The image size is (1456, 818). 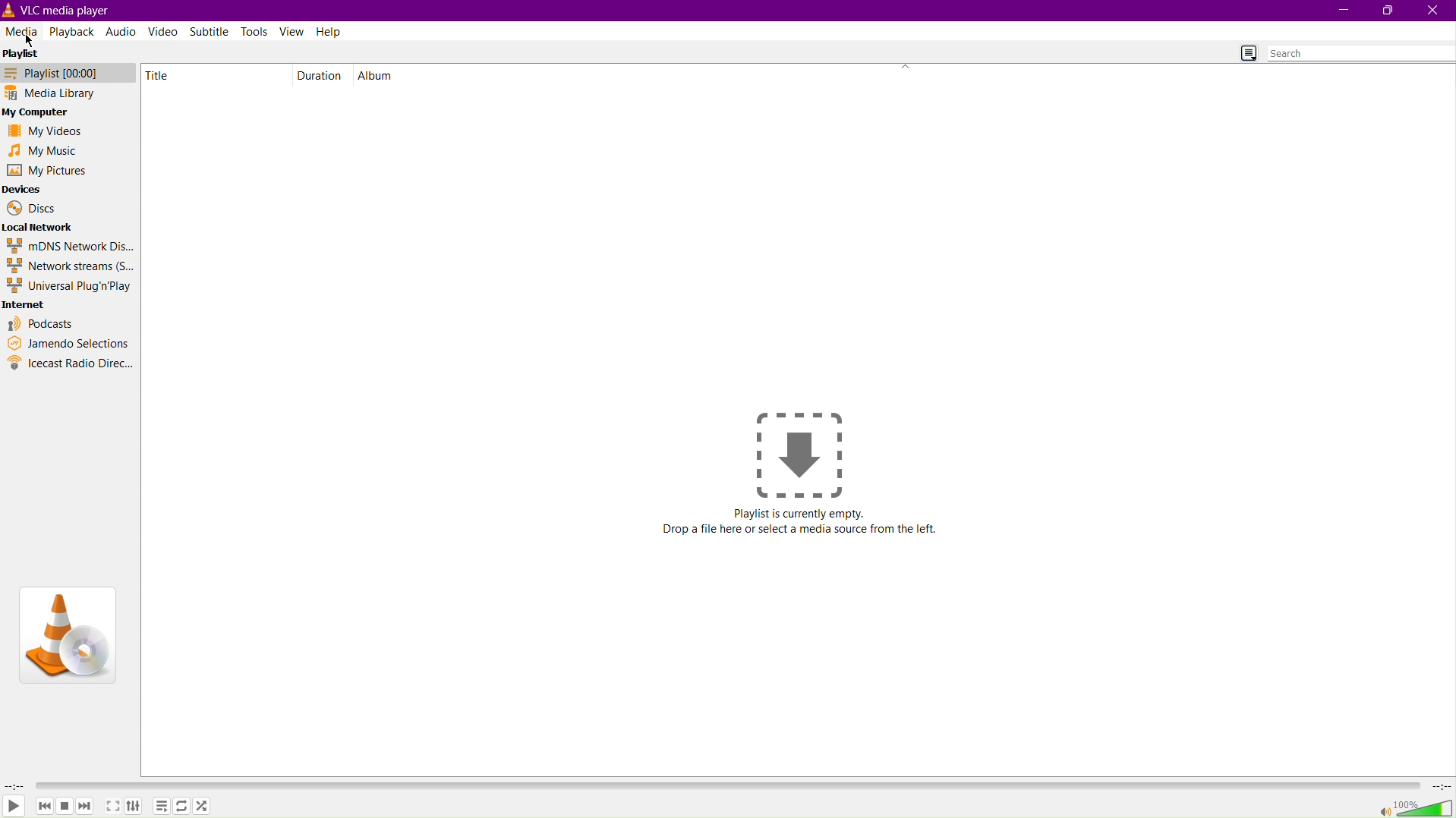 What do you see at coordinates (1360, 55) in the screenshot?
I see `Search bar` at bounding box center [1360, 55].